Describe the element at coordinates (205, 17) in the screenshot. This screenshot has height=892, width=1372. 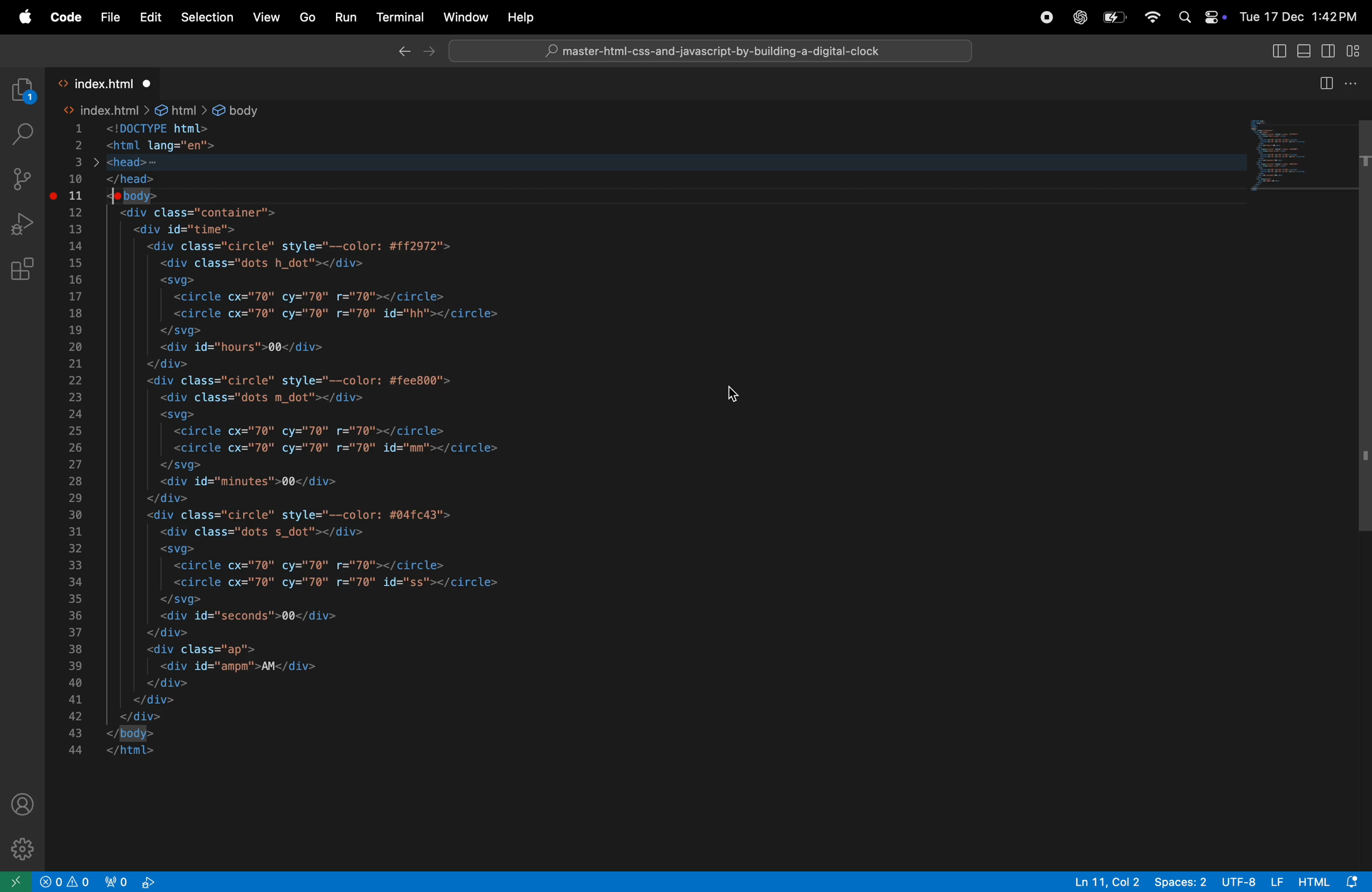
I see `Selection` at that location.